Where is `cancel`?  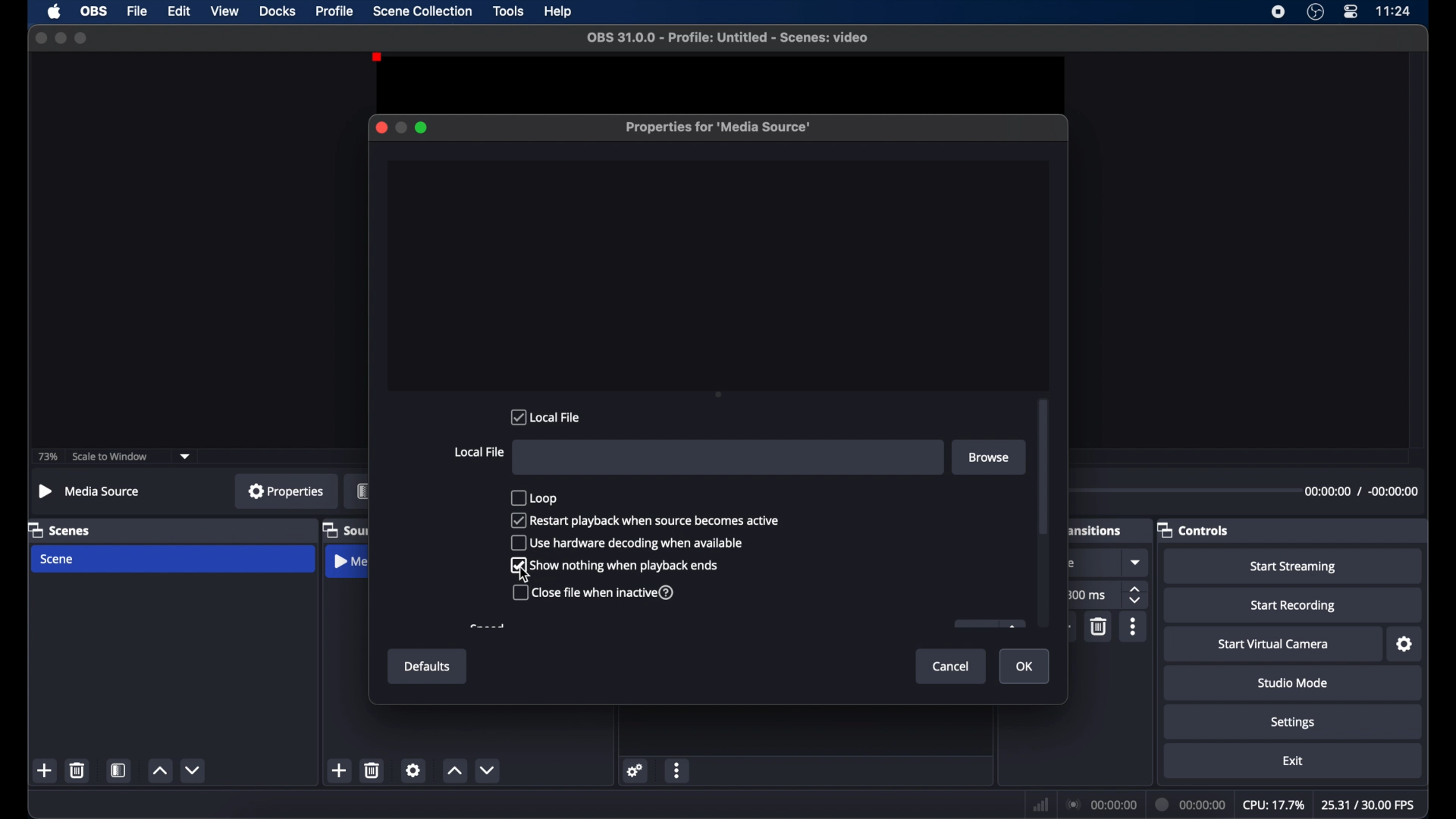
cancel is located at coordinates (952, 665).